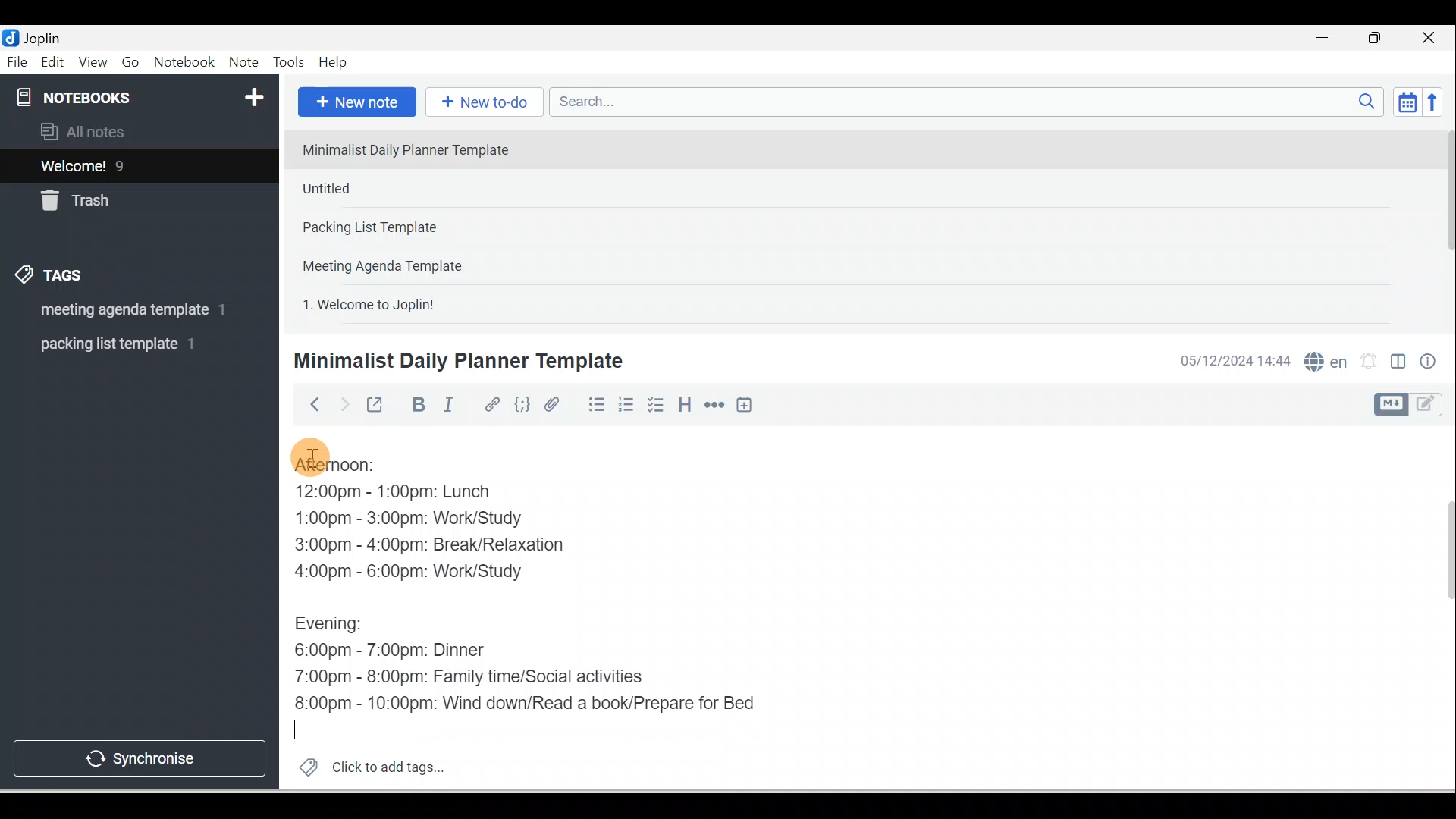 The width and height of the screenshot is (1456, 819). I want to click on Notebooks, so click(143, 94).